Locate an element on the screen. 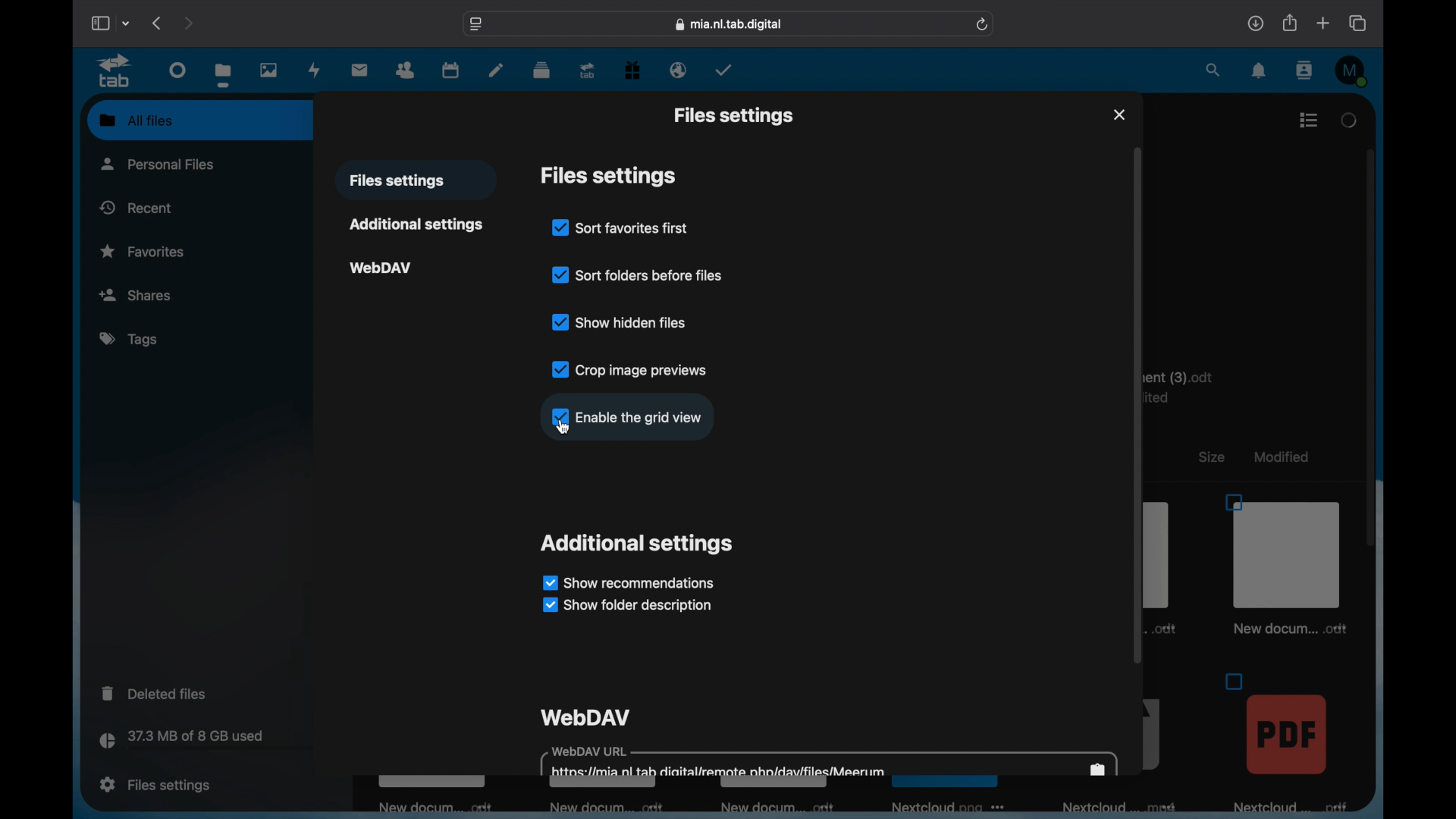 The image size is (1456, 819). pdf document is located at coordinates (1287, 741).